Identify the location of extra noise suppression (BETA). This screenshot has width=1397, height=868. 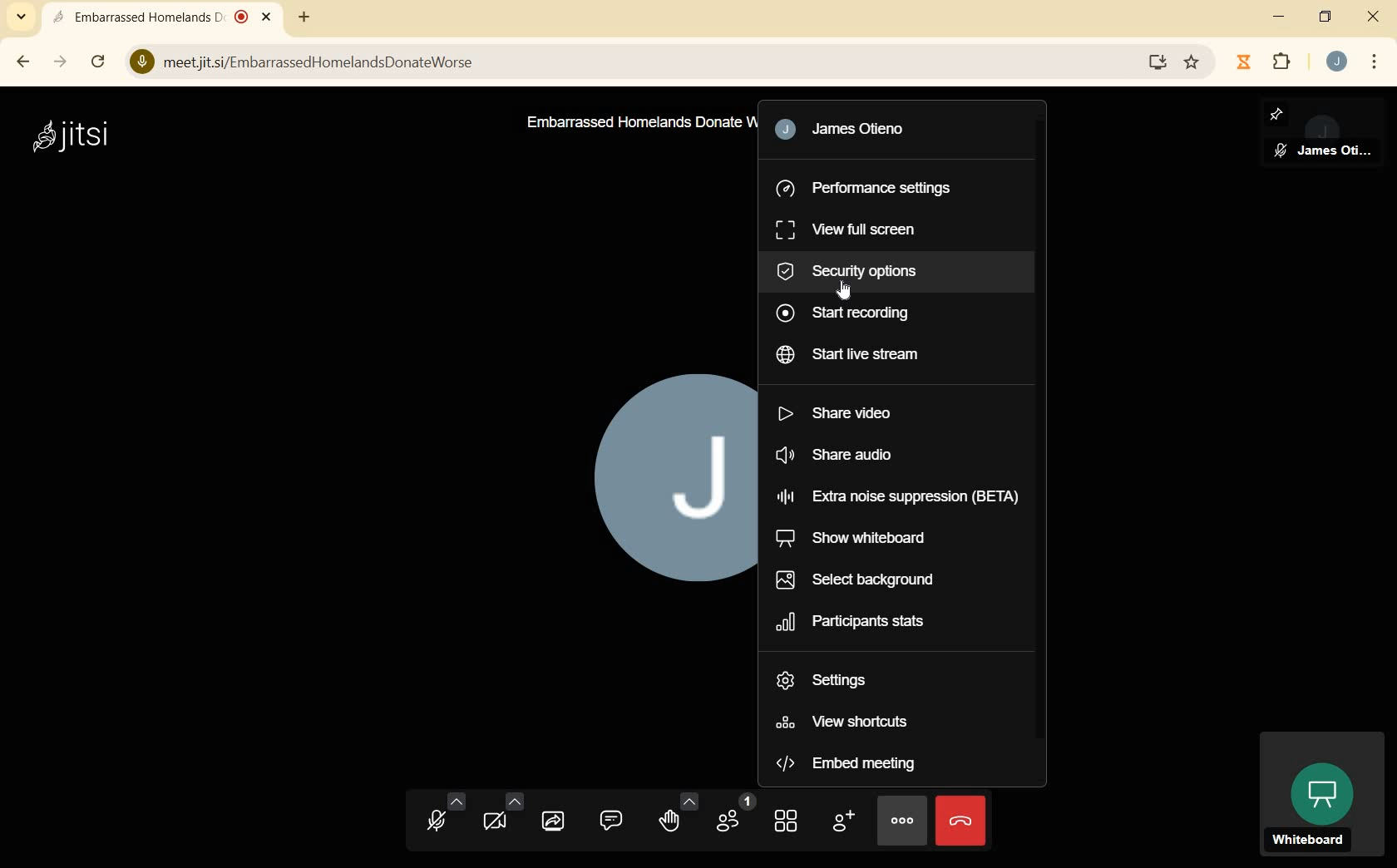
(895, 497).